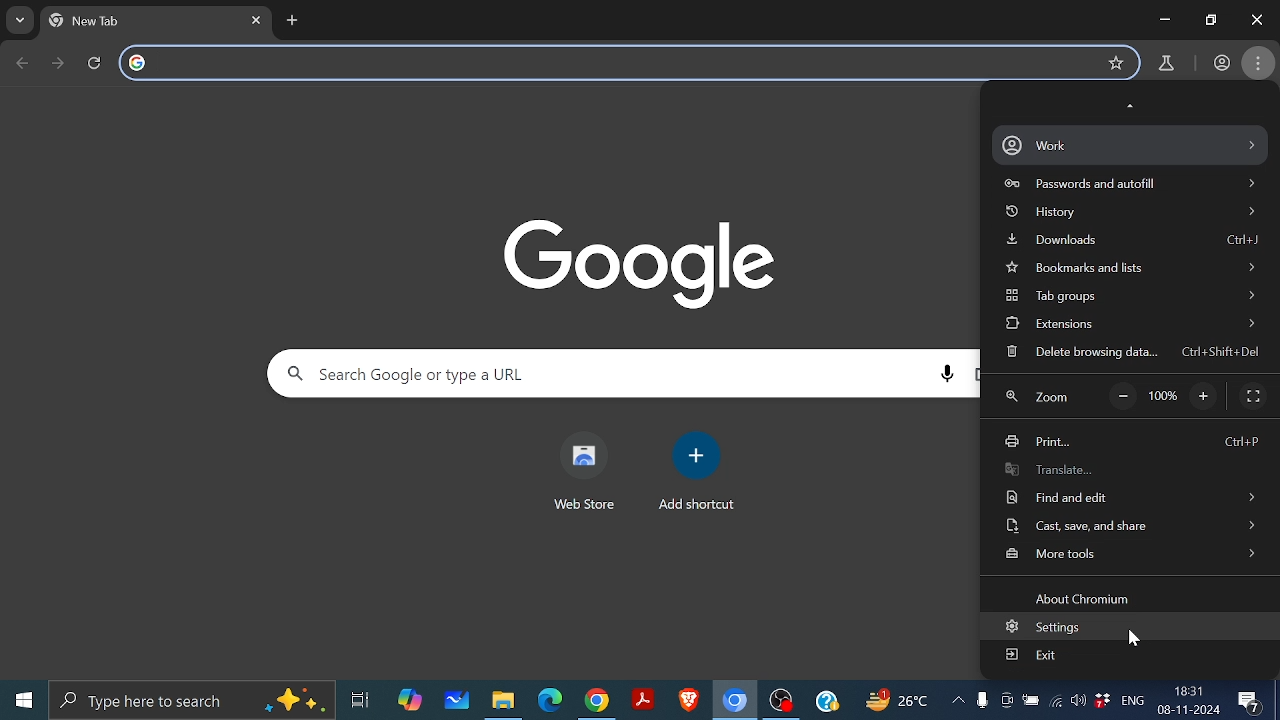  I want to click on Cast, save and share, so click(1131, 525).